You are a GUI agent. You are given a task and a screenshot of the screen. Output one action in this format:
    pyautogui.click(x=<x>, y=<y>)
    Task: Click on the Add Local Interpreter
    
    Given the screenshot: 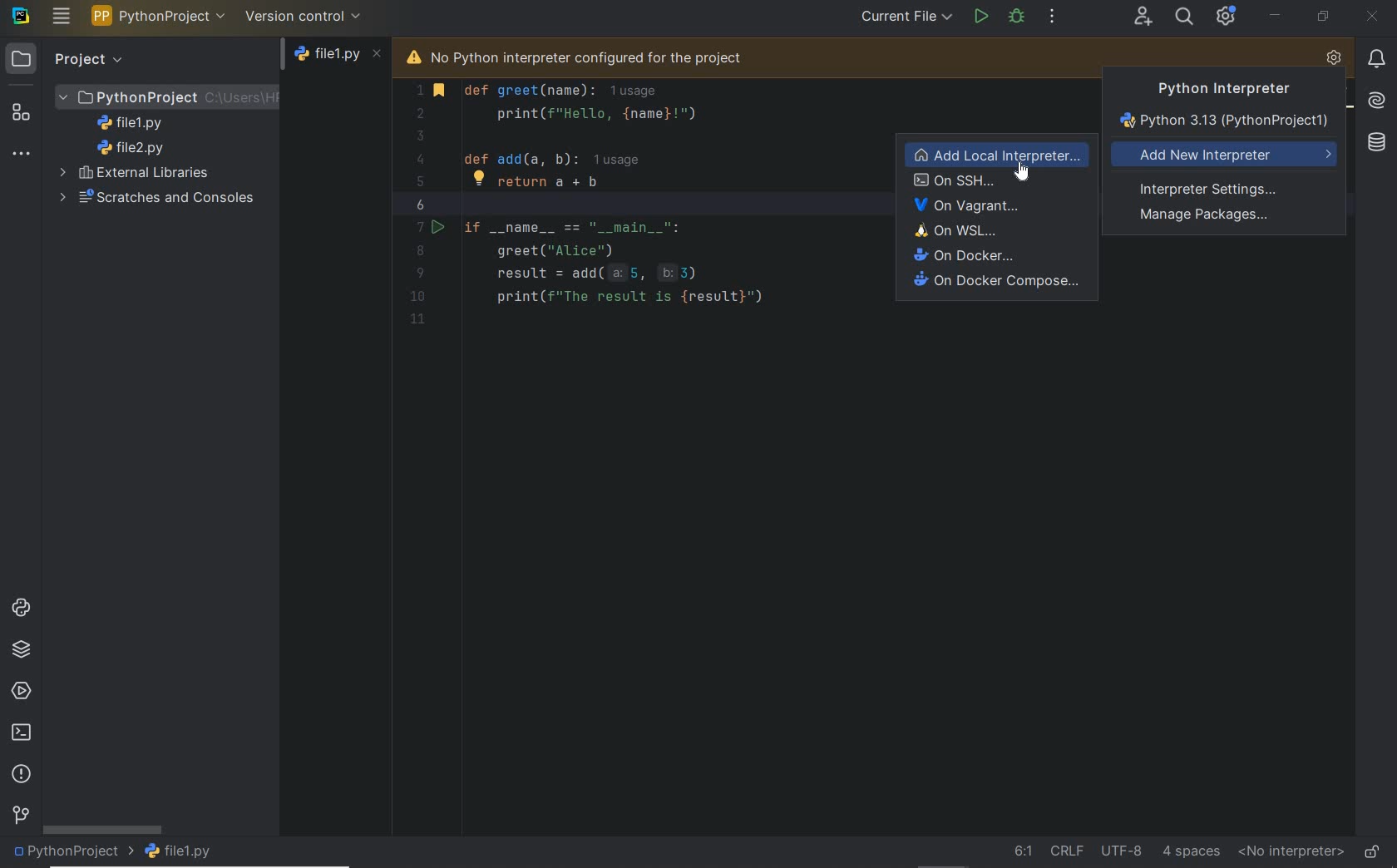 What is the action you would take?
    pyautogui.click(x=999, y=155)
    